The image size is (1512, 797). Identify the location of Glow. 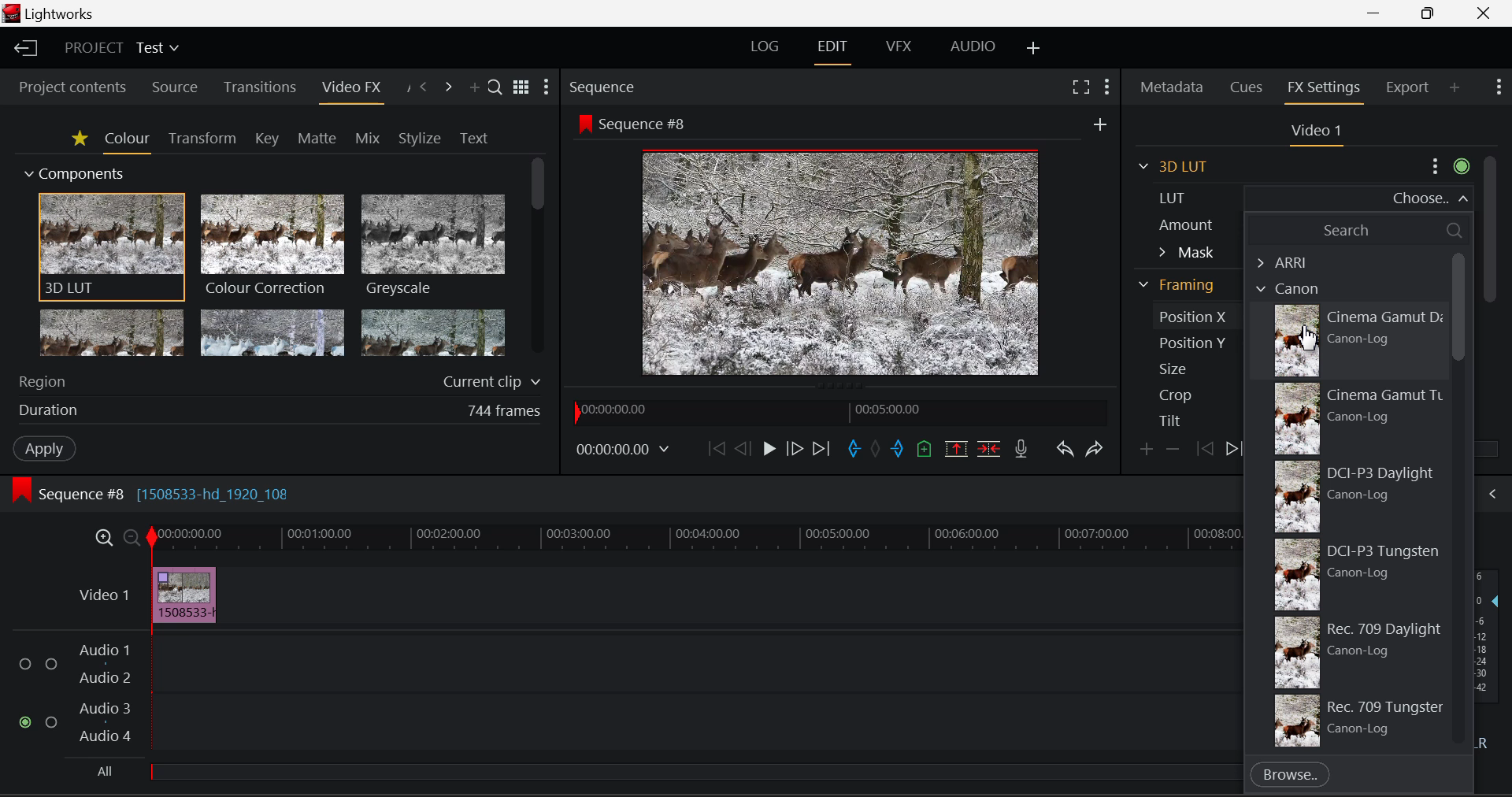
(112, 335).